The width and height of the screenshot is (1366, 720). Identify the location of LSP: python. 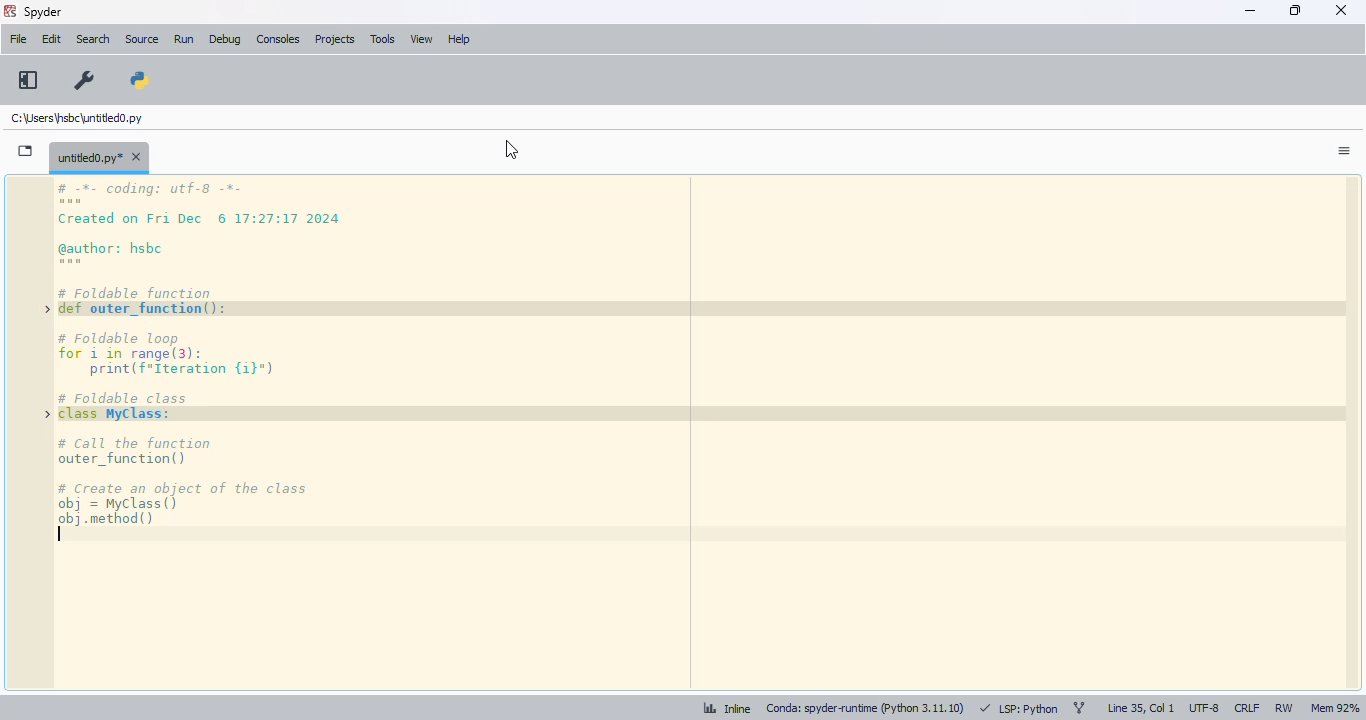
(1018, 709).